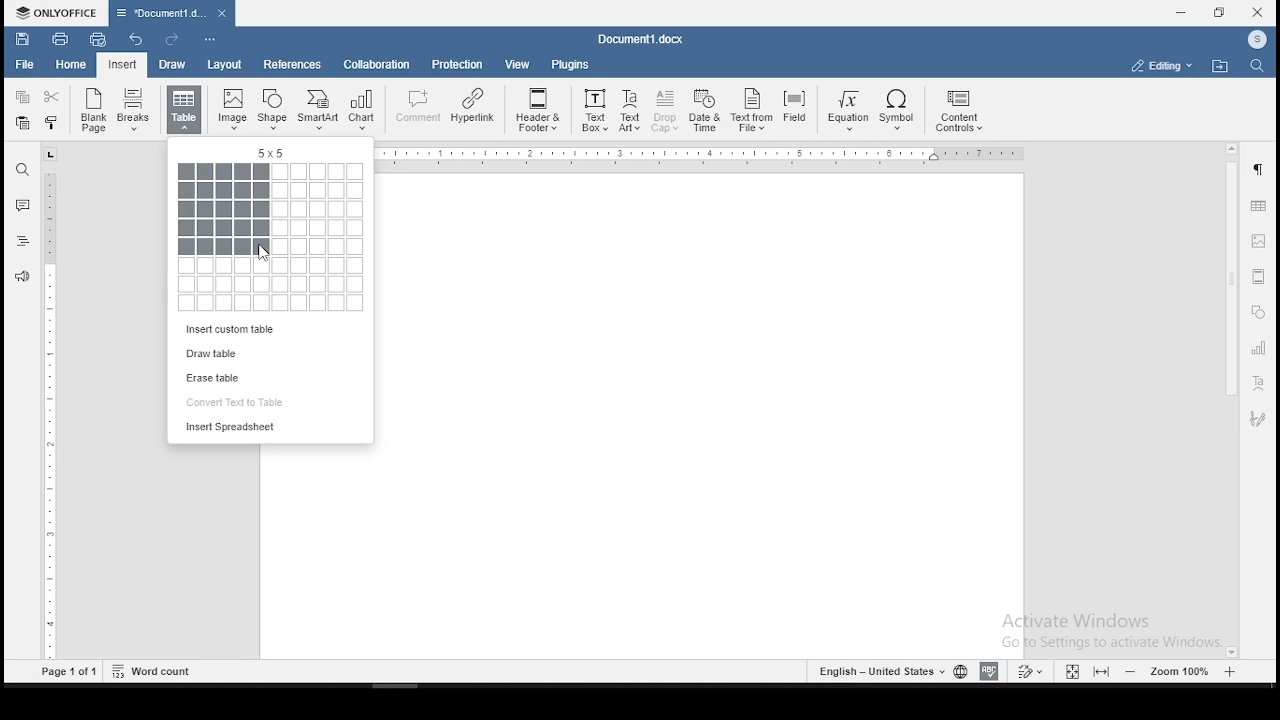 The height and width of the screenshot is (720, 1280). I want to click on image settings, so click(1260, 242).